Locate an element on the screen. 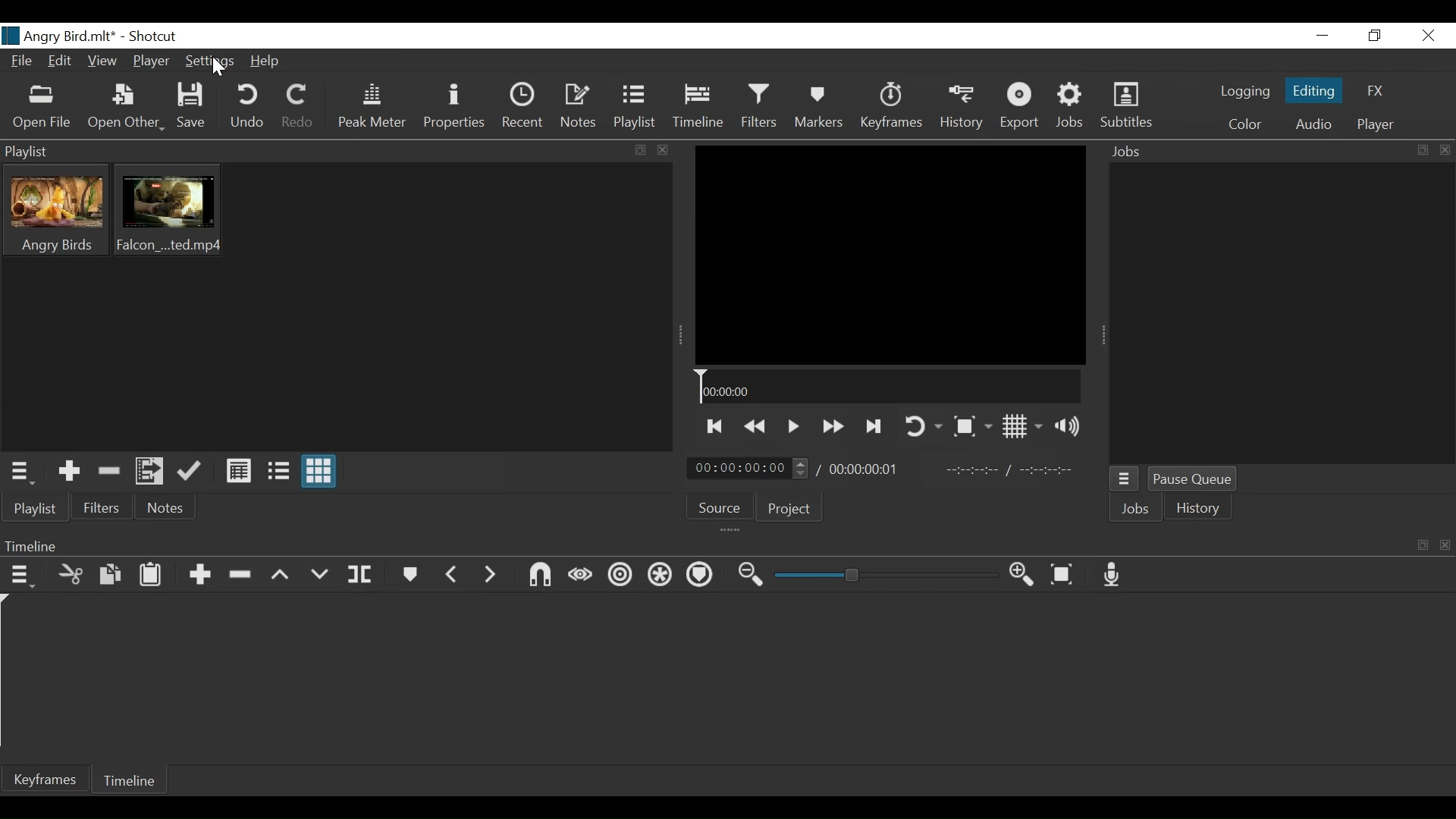  Redo is located at coordinates (298, 108).